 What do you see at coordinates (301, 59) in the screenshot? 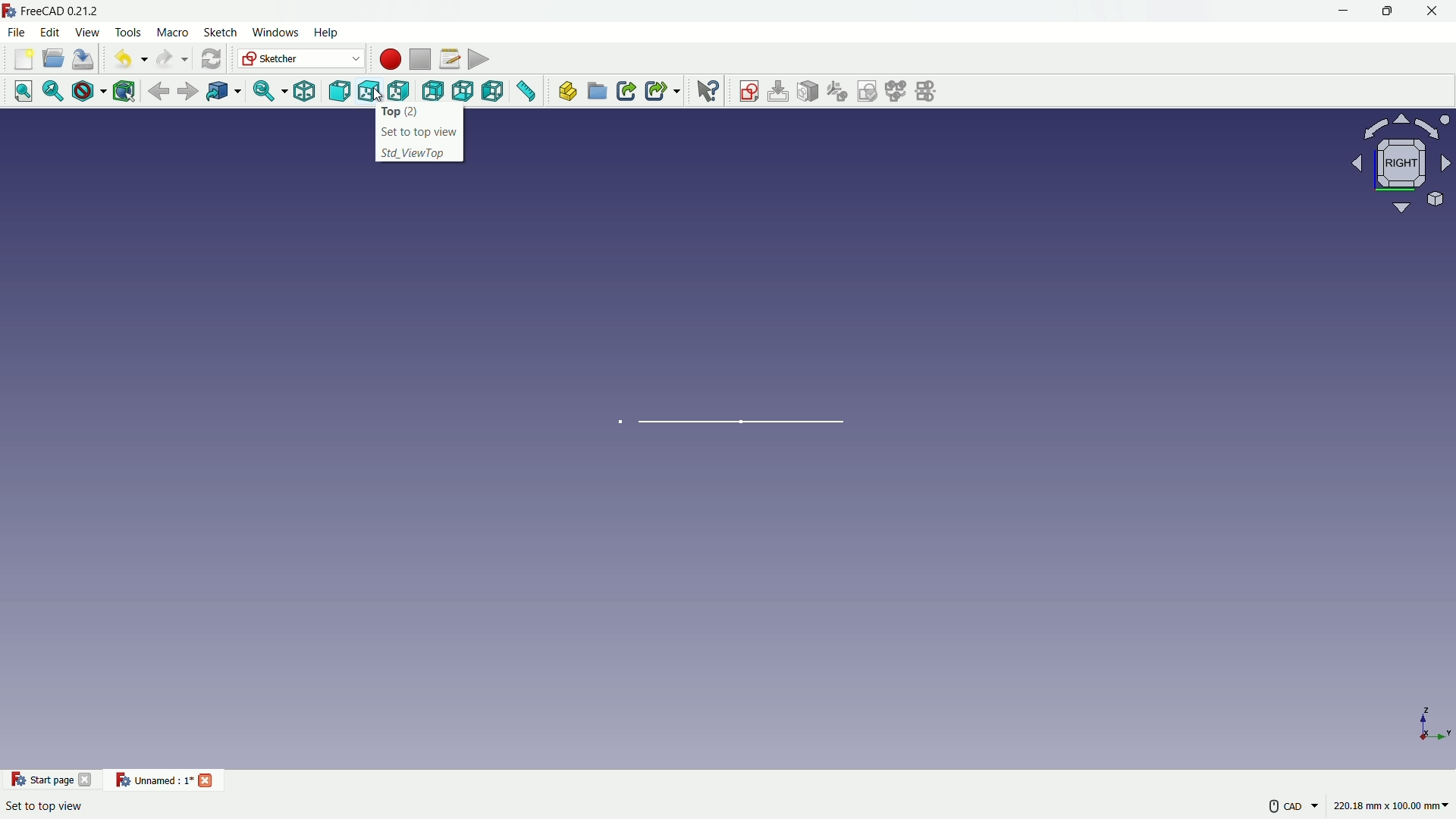
I see `switch between workbenches` at bounding box center [301, 59].